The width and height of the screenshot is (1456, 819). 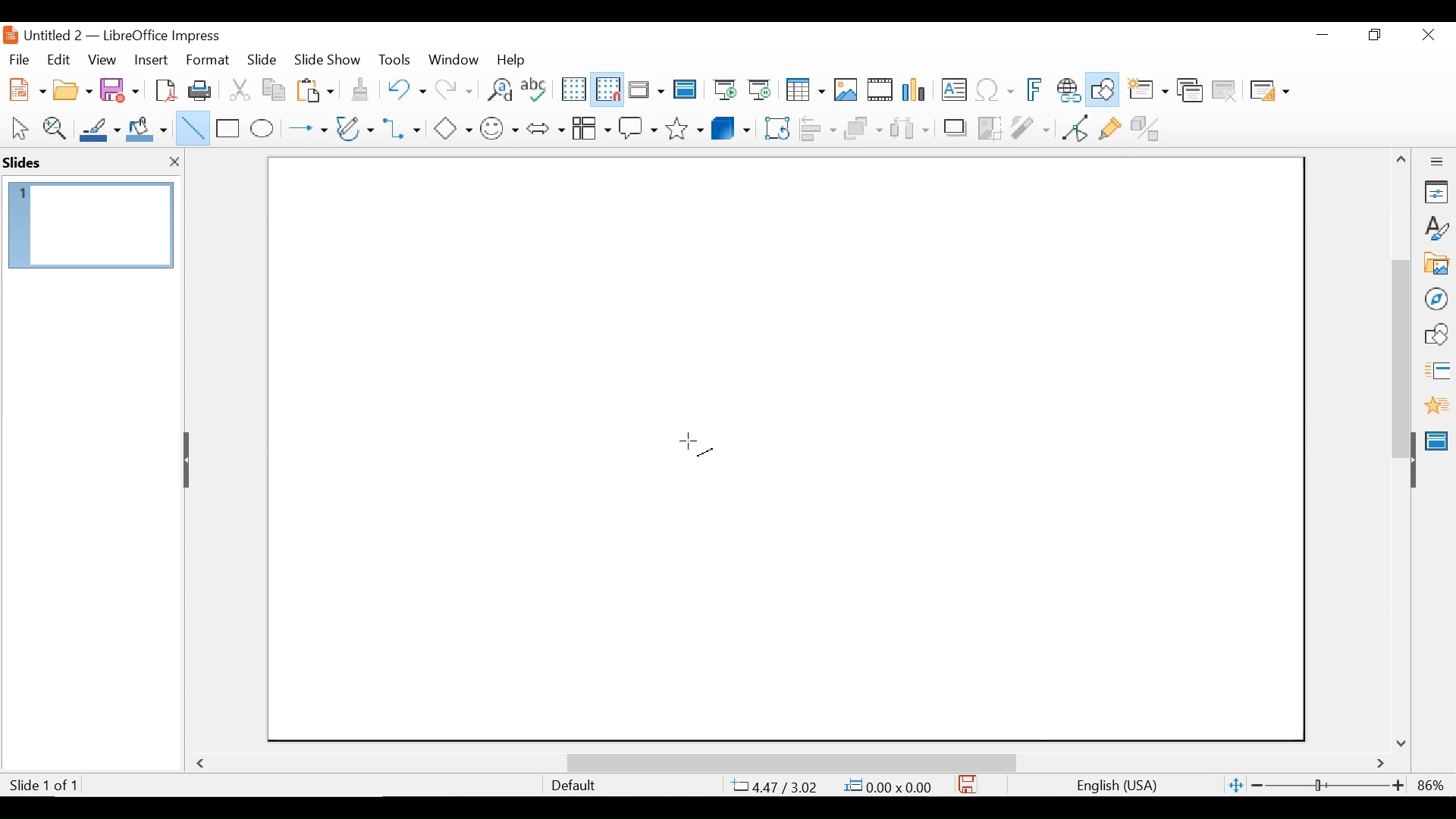 What do you see at coordinates (1268, 92) in the screenshot?
I see `Slide Layout` at bounding box center [1268, 92].